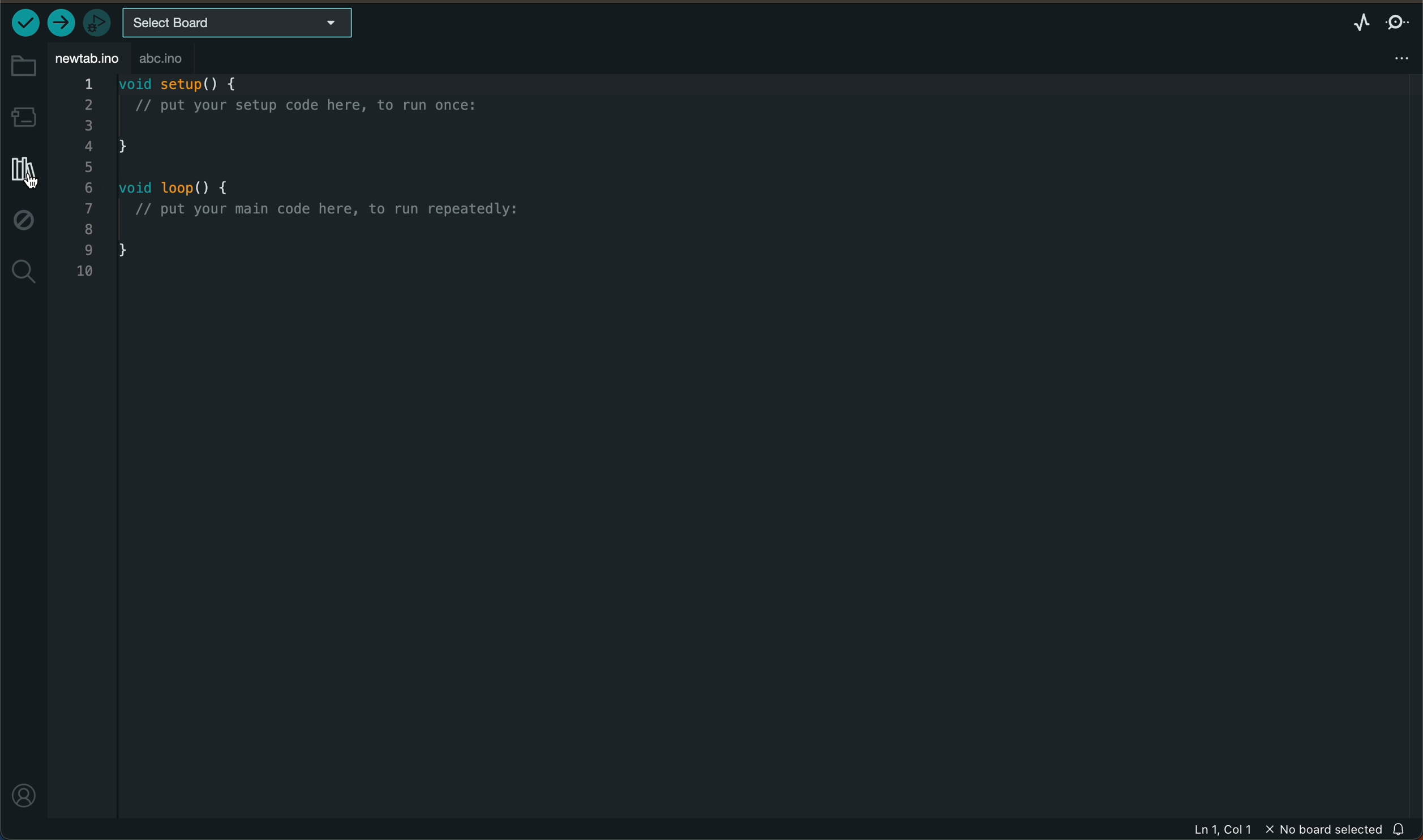 The width and height of the screenshot is (1423, 840). Describe the element at coordinates (175, 59) in the screenshot. I see `abc` at that location.